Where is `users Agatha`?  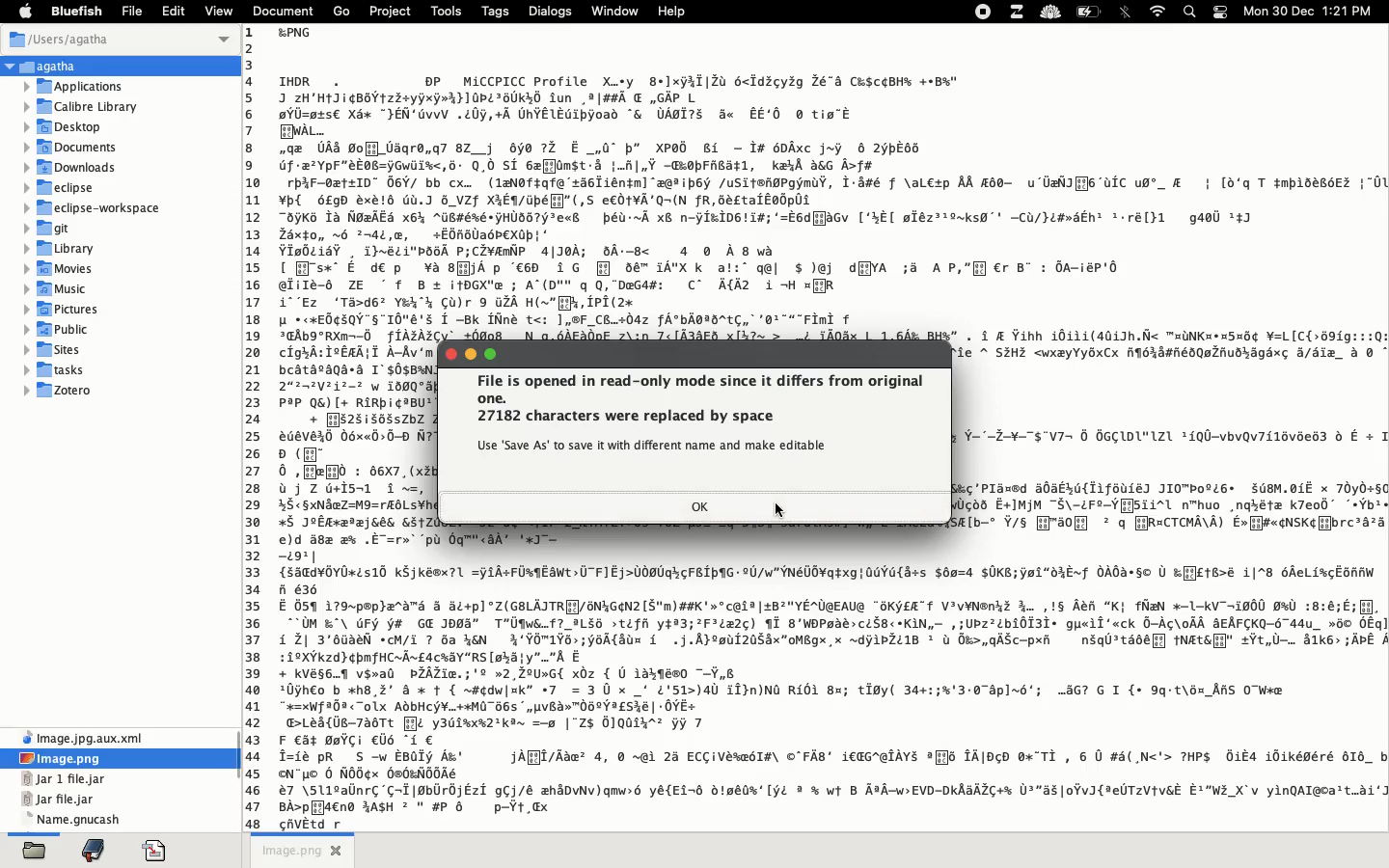 users Agatha is located at coordinates (122, 42).